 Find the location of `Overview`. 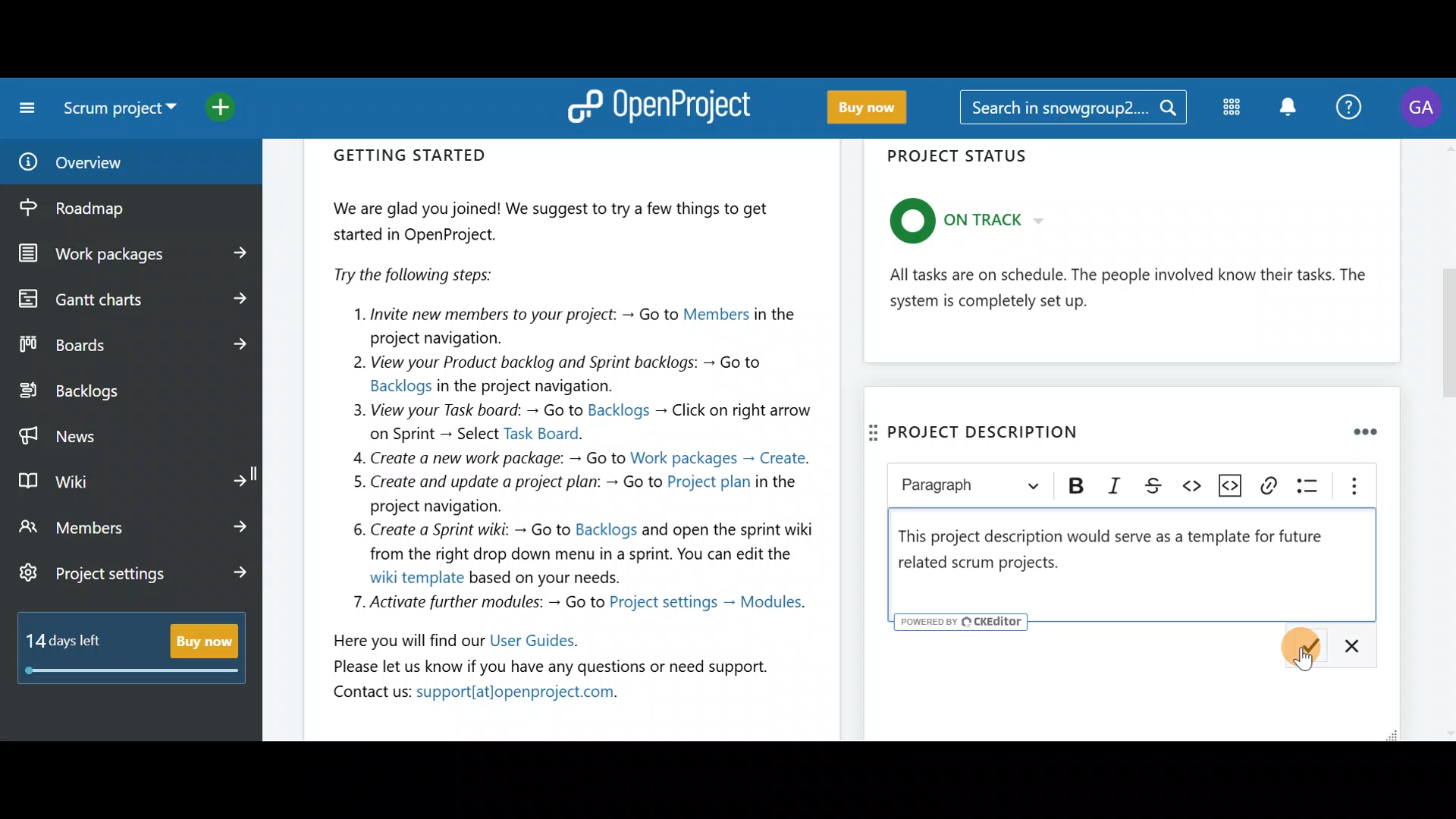

Overview is located at coordinates (112, 162).